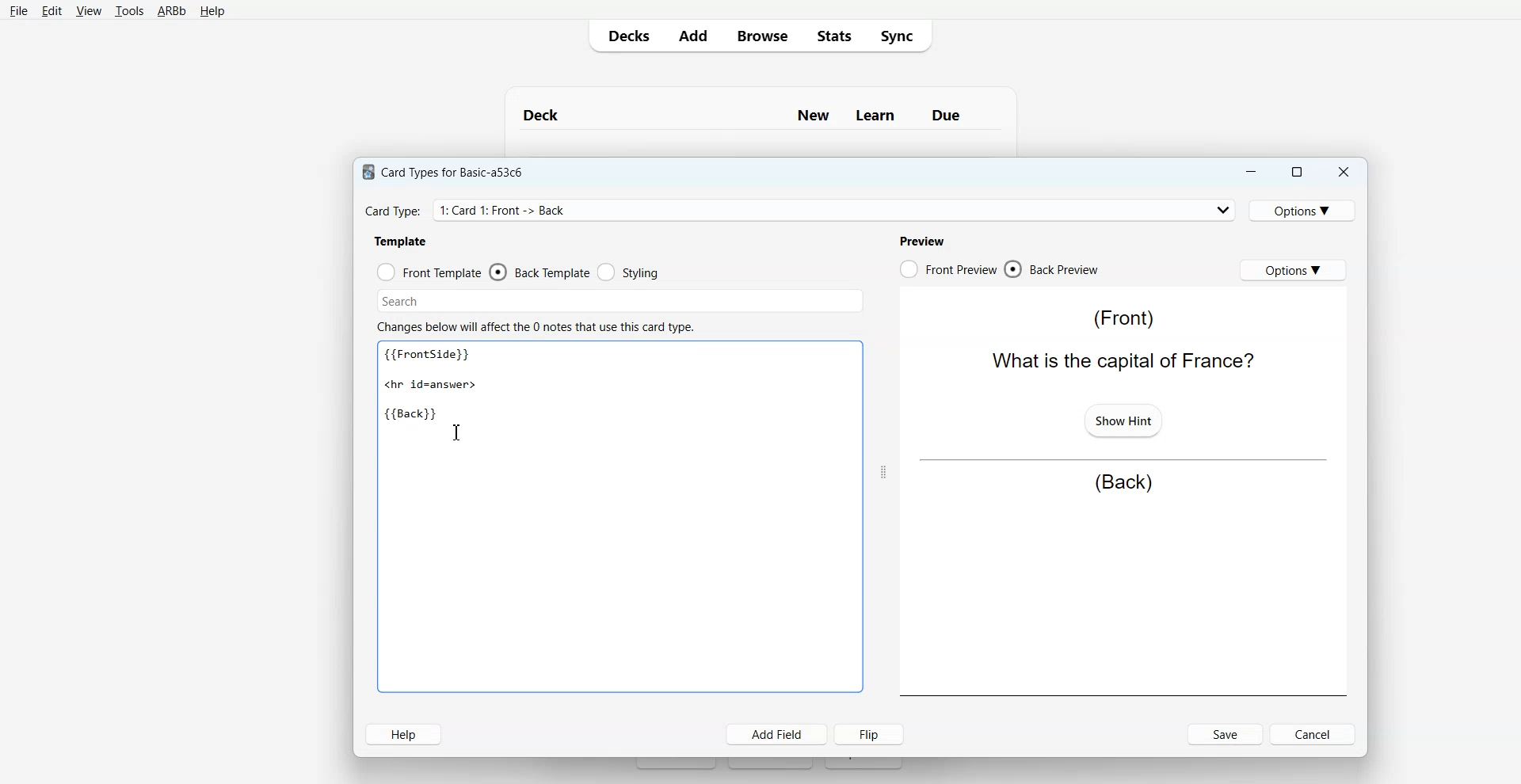  I want to click on Flip, so click(872, 733).